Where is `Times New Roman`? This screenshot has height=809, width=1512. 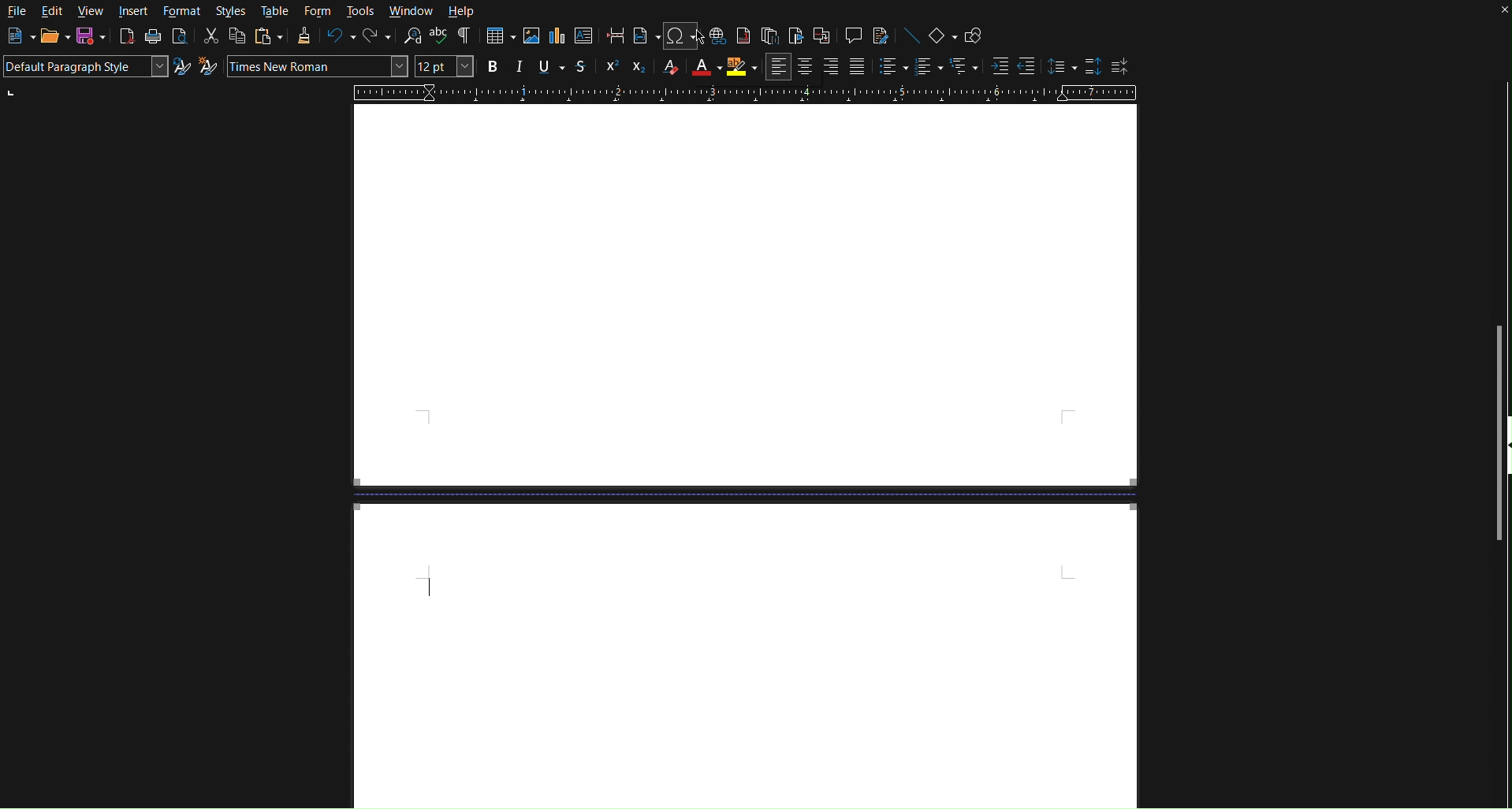
Times New Roman is located at coordinates (317, 66).